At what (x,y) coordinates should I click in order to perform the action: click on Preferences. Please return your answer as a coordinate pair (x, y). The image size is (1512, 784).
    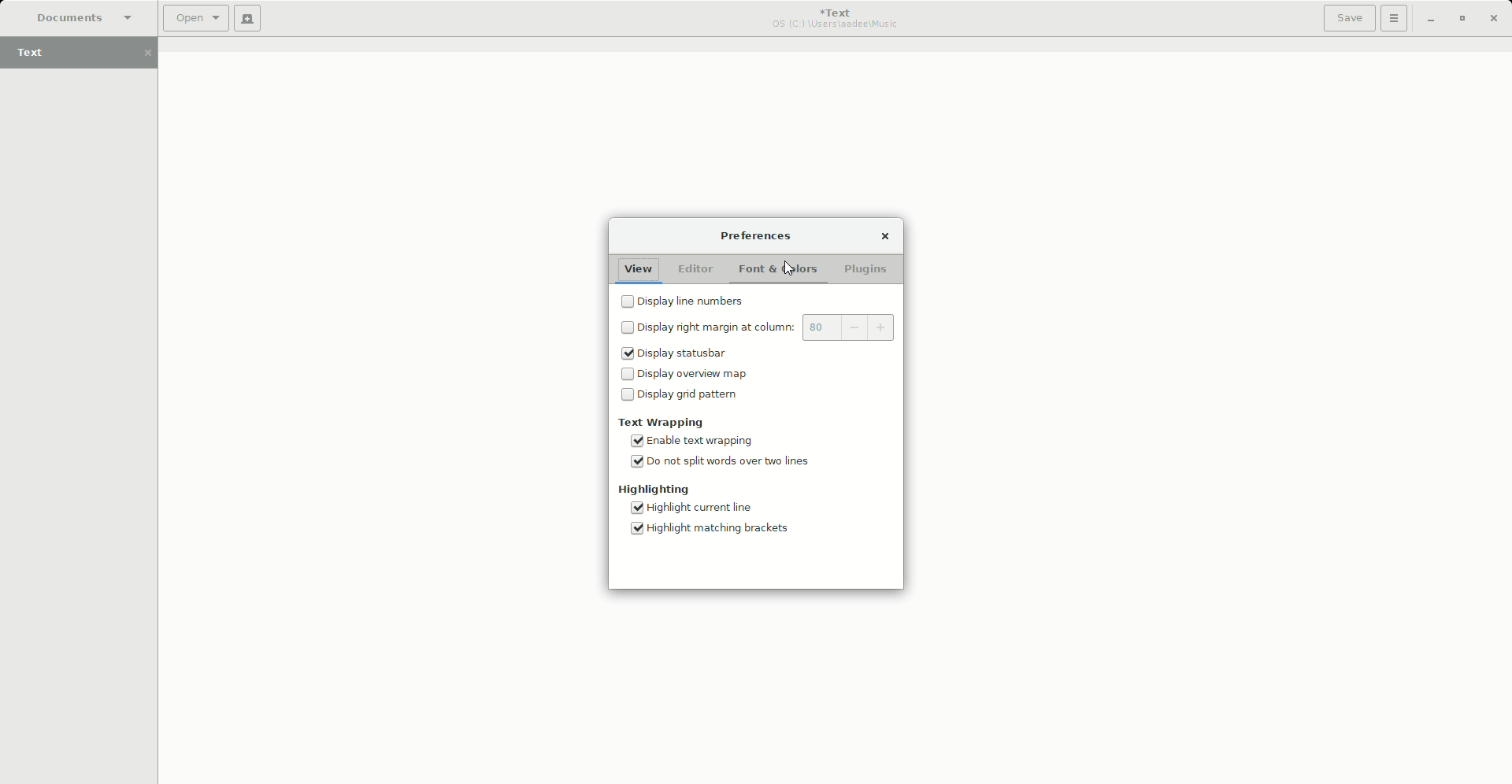
    Looking at the image, I should click on (760, 231).